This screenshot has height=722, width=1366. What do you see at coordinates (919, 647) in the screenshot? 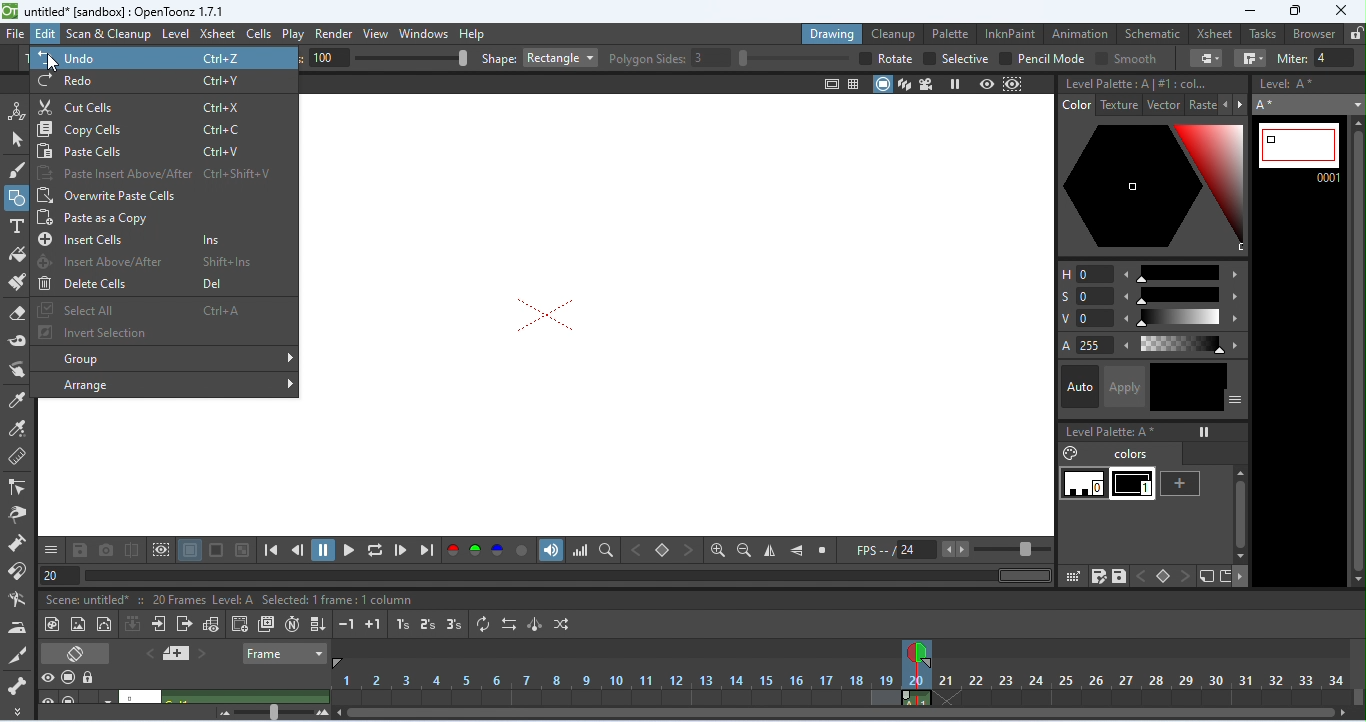
I see `current frame` at bounding box center [919, 647].